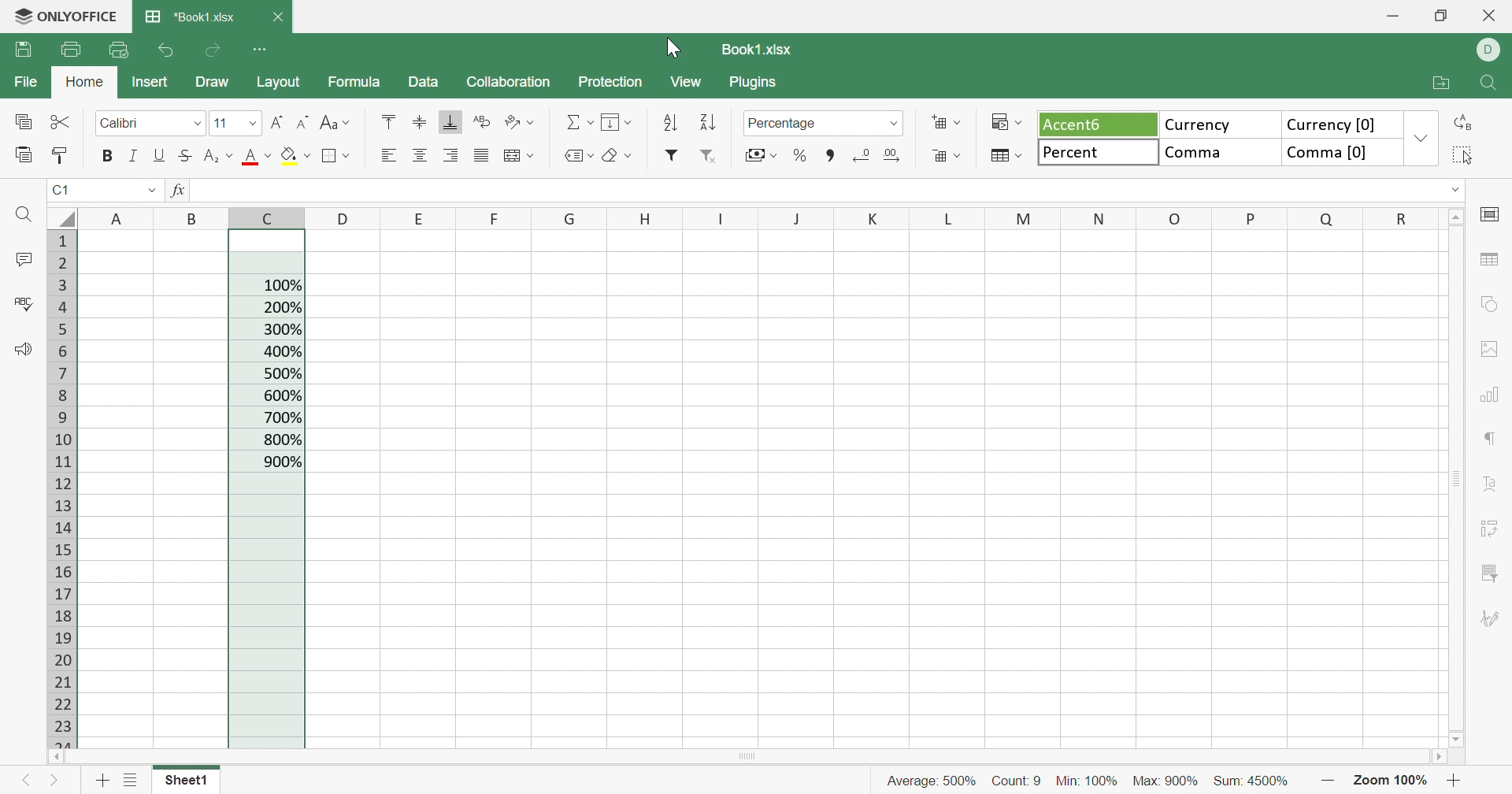 This screenshot has width=1512, height=794. I want to click on Q, so click(1317, 219).